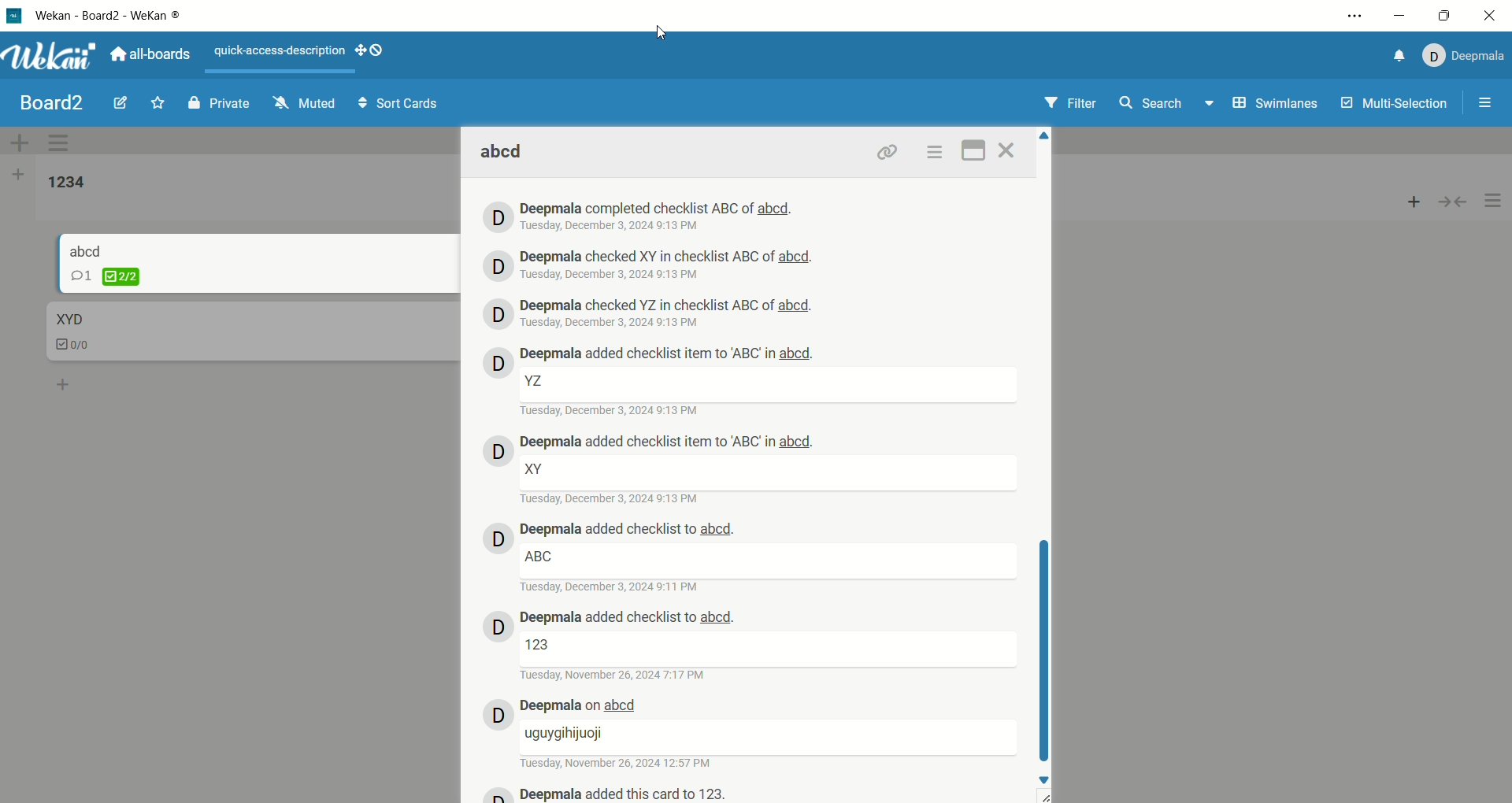 The width and height of the screenshot is (1512, 803). Describe the element at coordinates (628, 531) in the screenshot. I see `deepmala history` at that location.